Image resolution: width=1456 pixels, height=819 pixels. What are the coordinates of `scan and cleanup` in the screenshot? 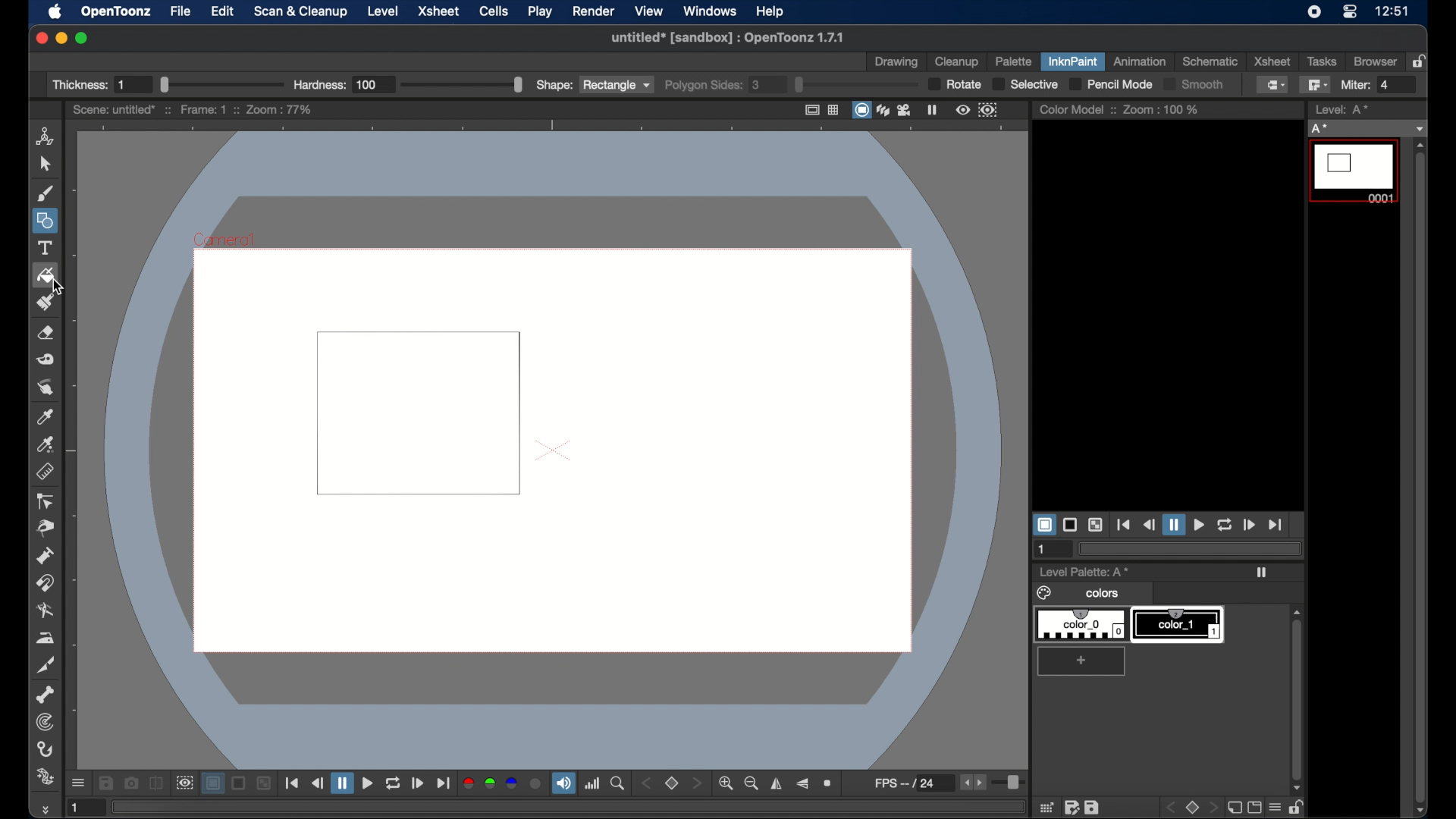 It's located at (302, 11).